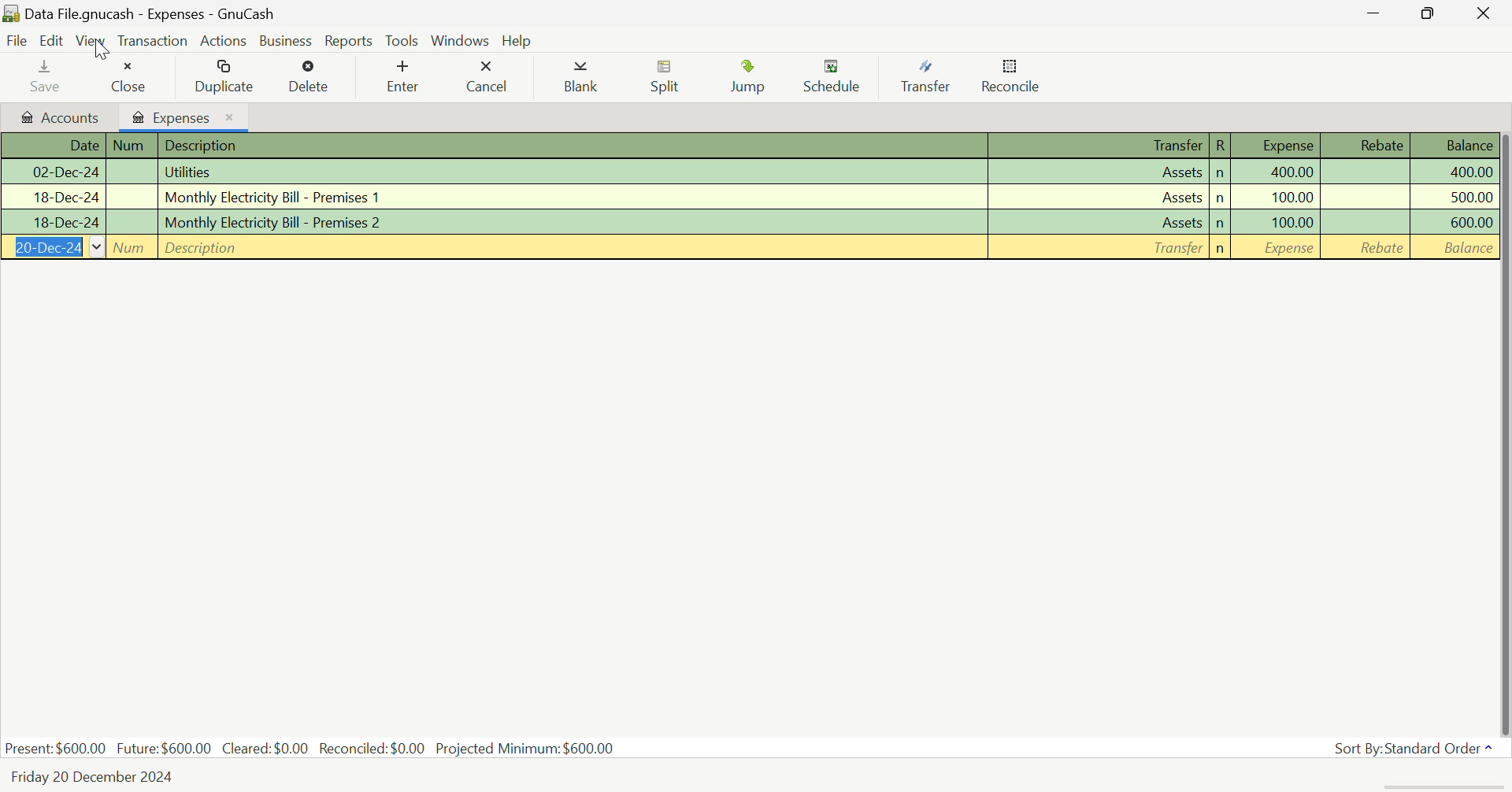 Image resolution: width=1512 pixels, height=792 pixels. I want to click on Amount, so click(1452, 224).